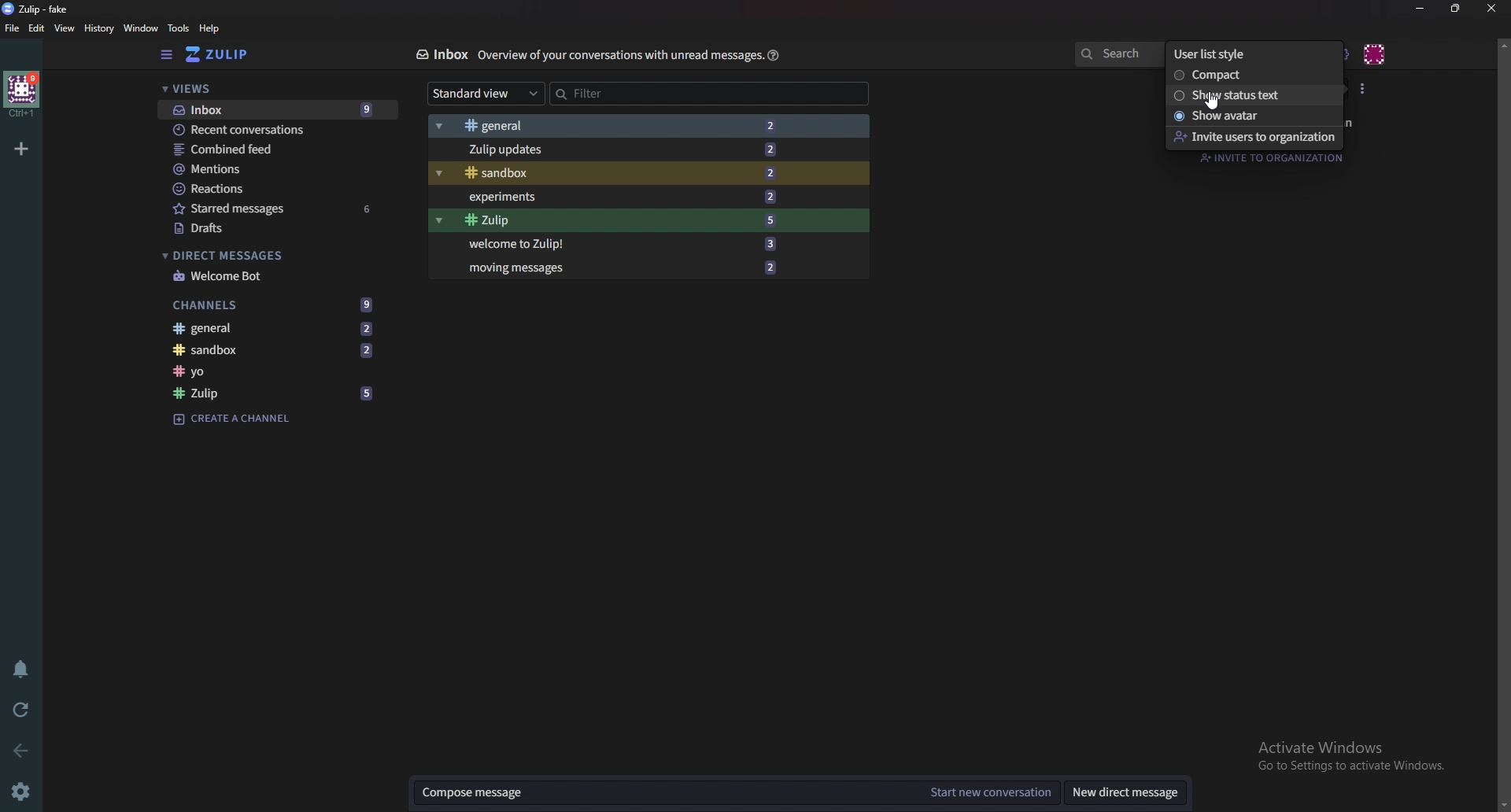  I want to click on View, so click(63, 29).